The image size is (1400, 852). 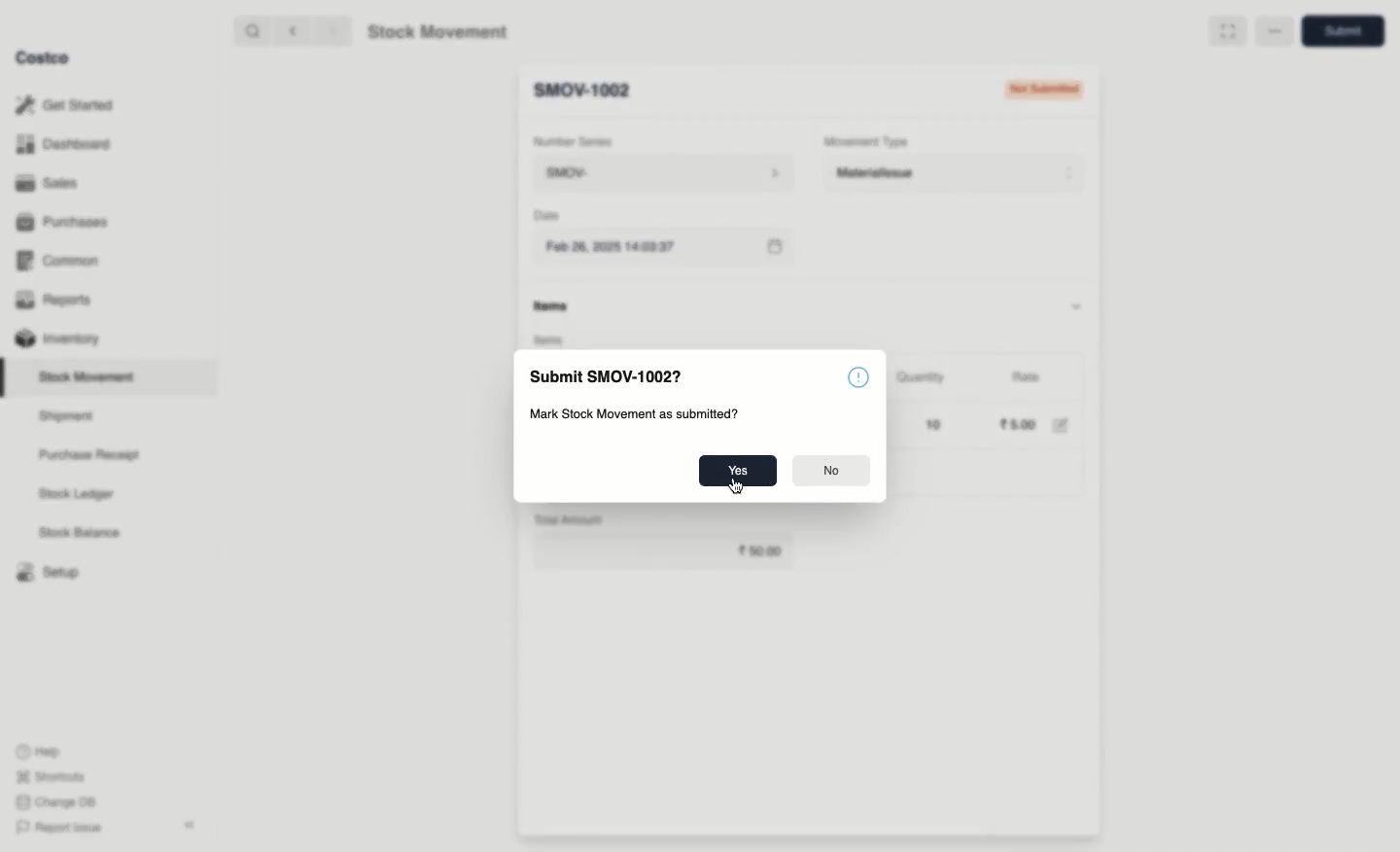 What do you see at coordinates (296, 32) in the screenshot?
I see `backward` at bounding box center [296, 32].